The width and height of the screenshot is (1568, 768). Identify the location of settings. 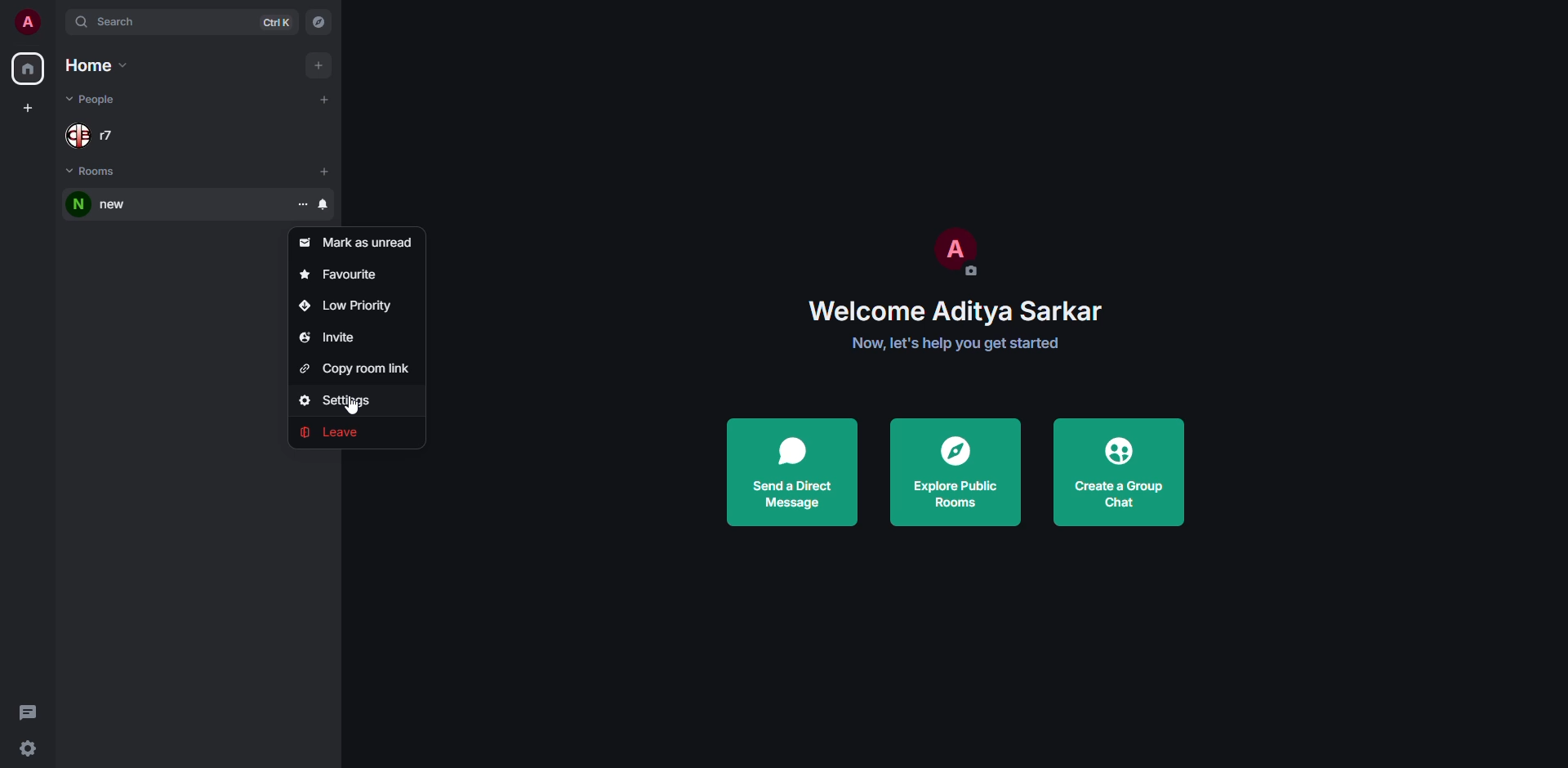
(340, 401).